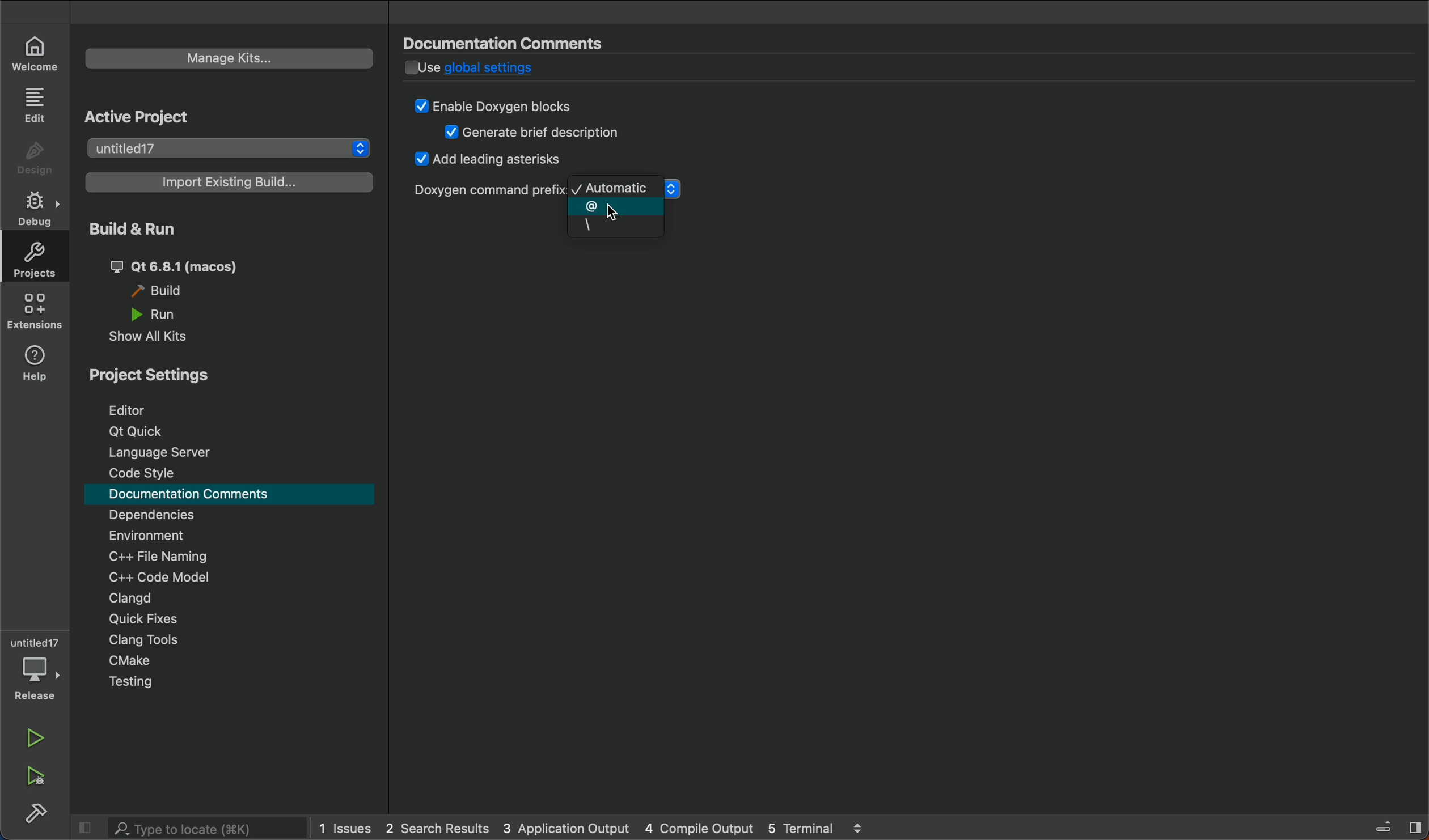 Image resolution: width=1429 pixels, height=840 pixels. What do you see at coordinates (157, 338) in the screenshot?
I see `show all kits` at bounding box center [157, 338].